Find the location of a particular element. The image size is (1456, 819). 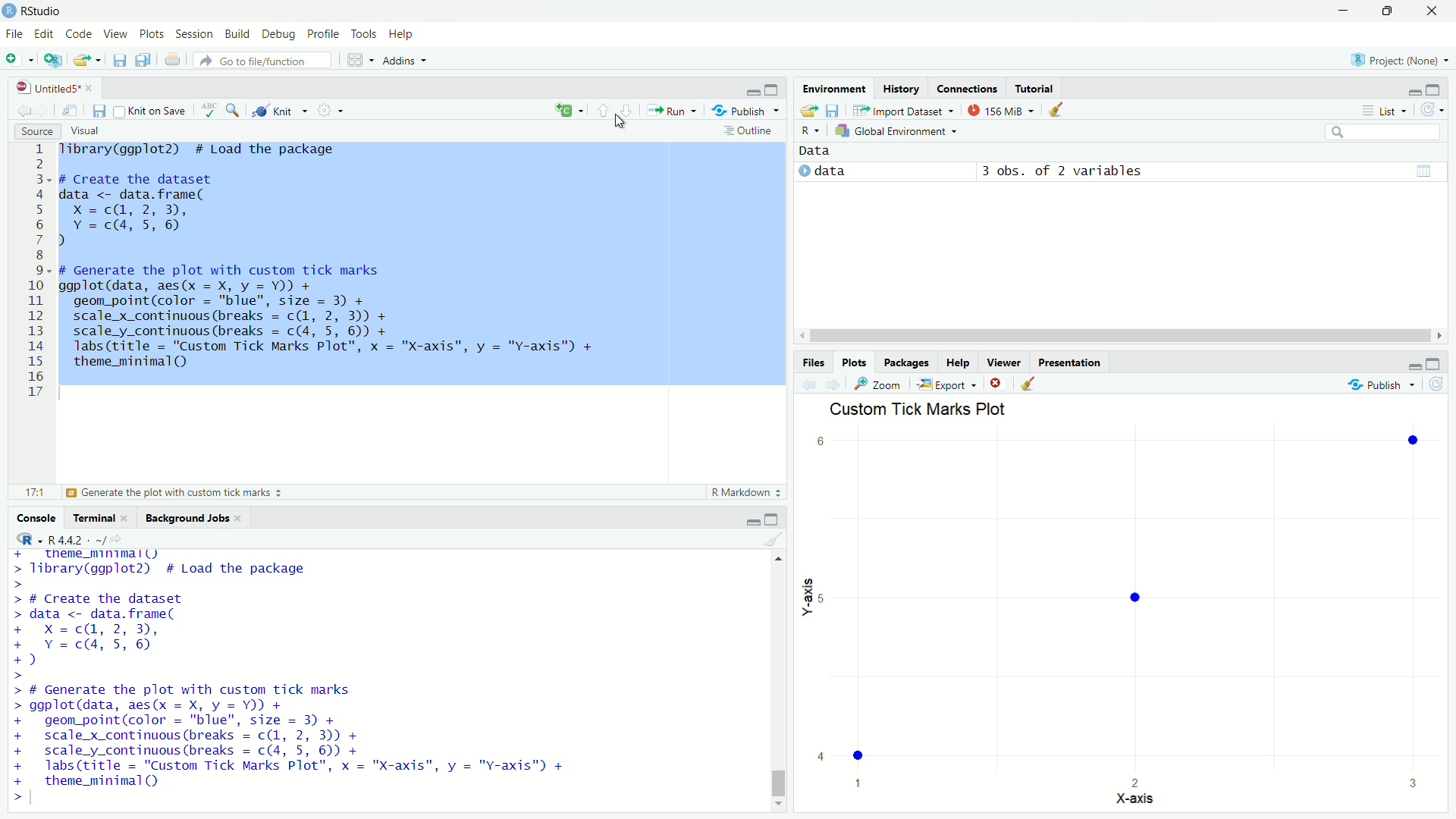

save current document is located at coordinates (99, 109).